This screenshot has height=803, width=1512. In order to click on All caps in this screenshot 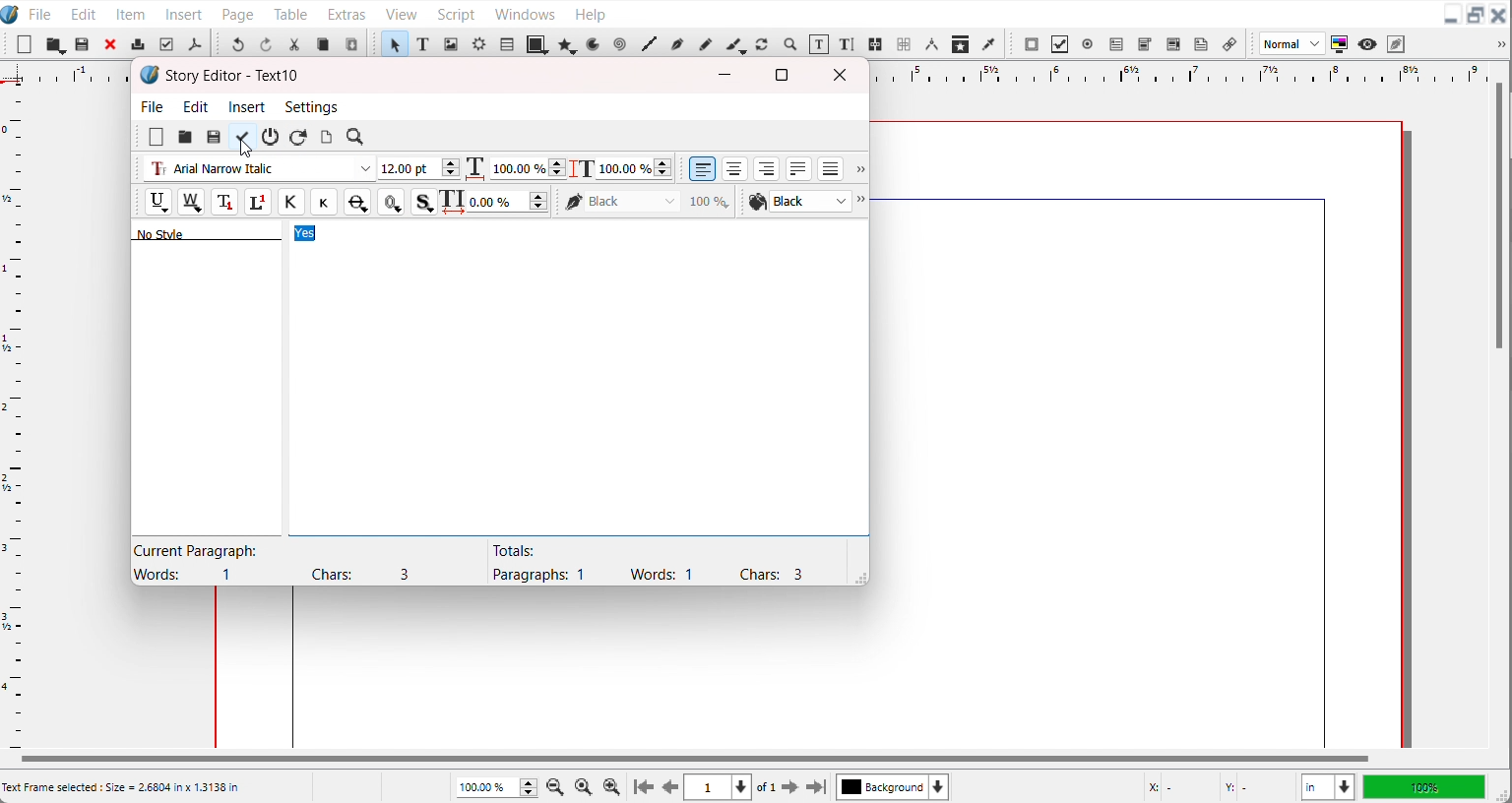, I will do `click(290, 202)`.